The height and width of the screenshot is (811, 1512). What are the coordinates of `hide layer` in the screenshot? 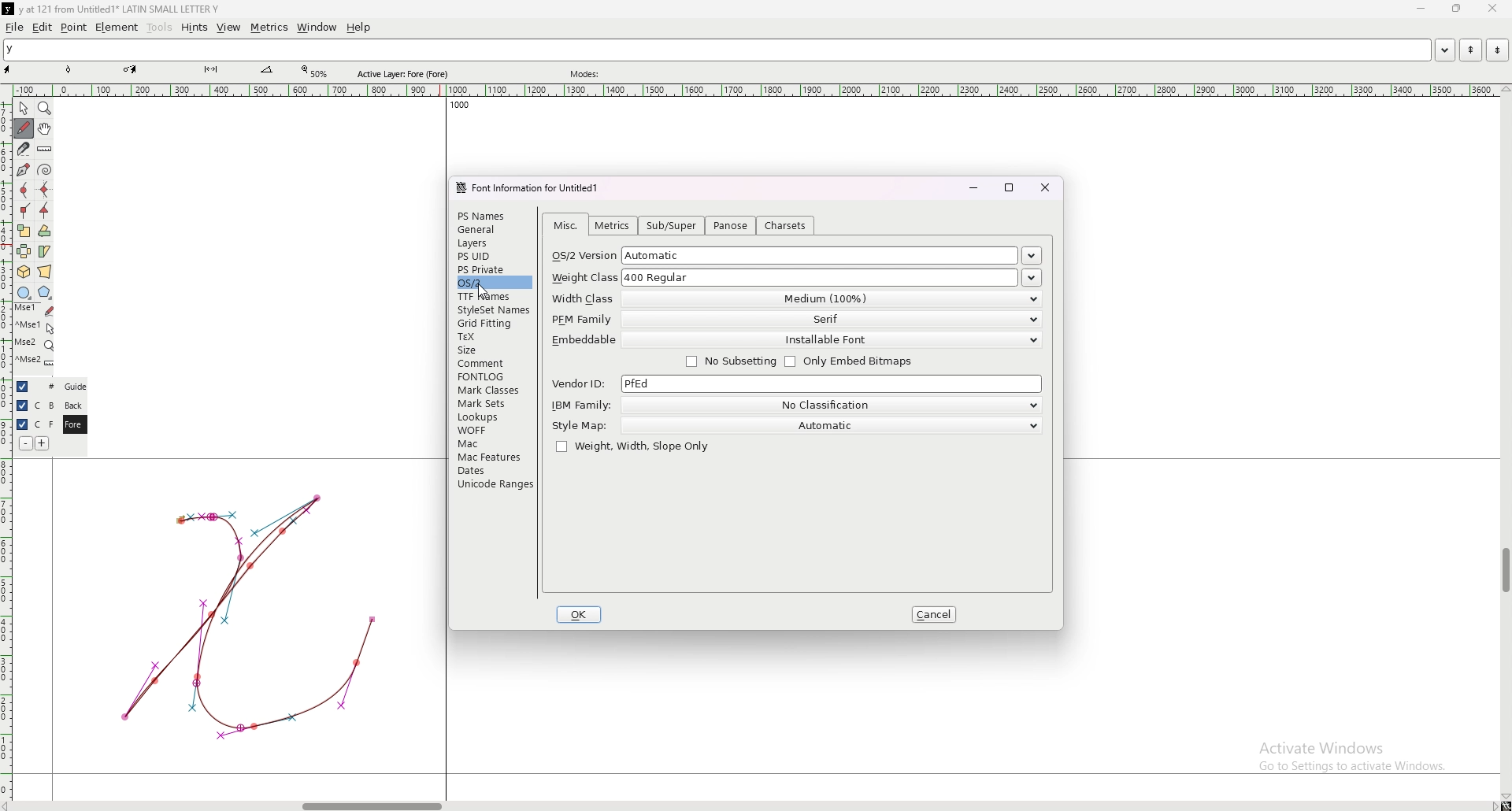 It's located at (22, 405).